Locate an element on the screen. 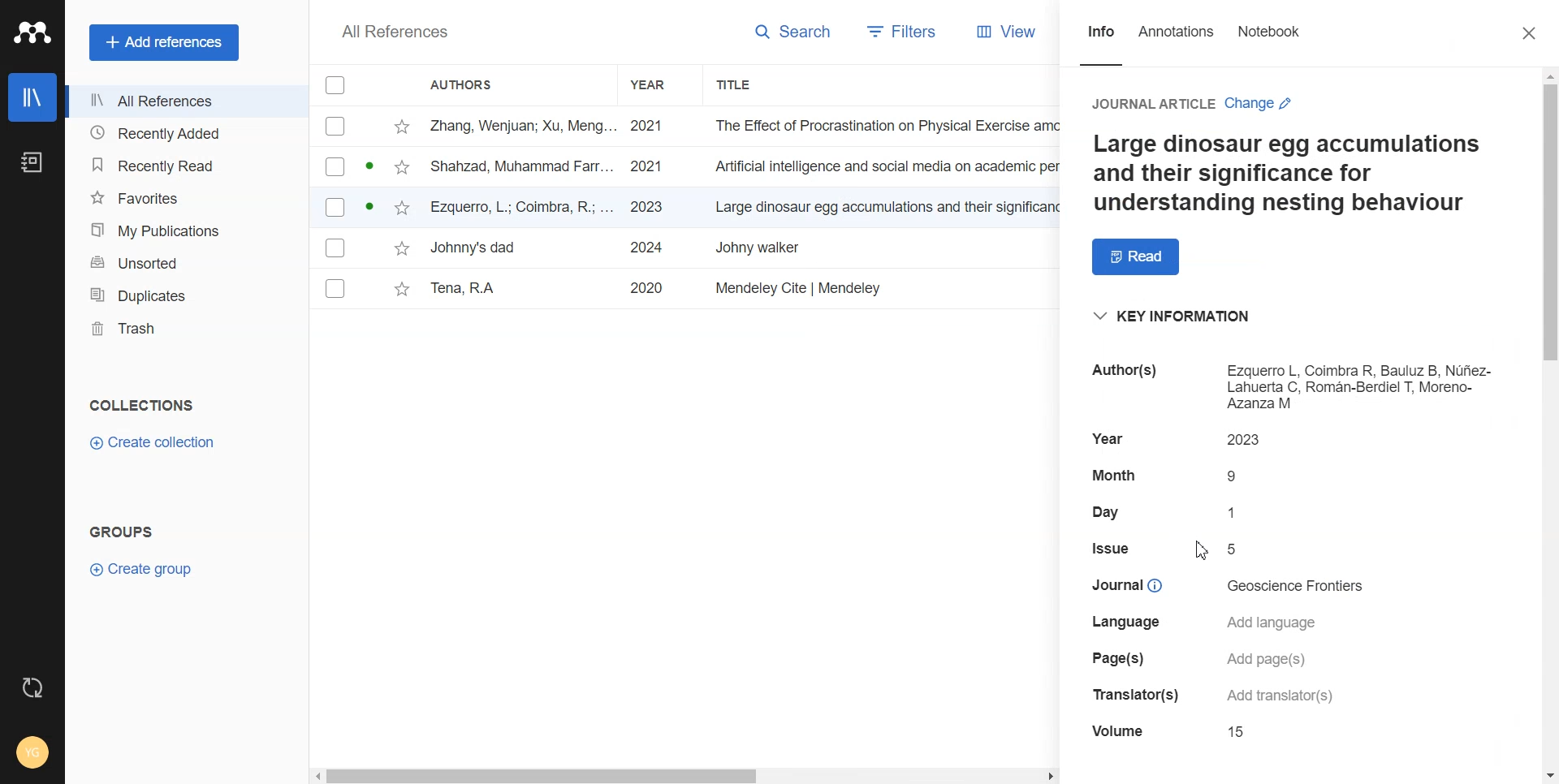 This screenshot has height=784, width=1559. Auto Sync is located at coordinates (32, 687).